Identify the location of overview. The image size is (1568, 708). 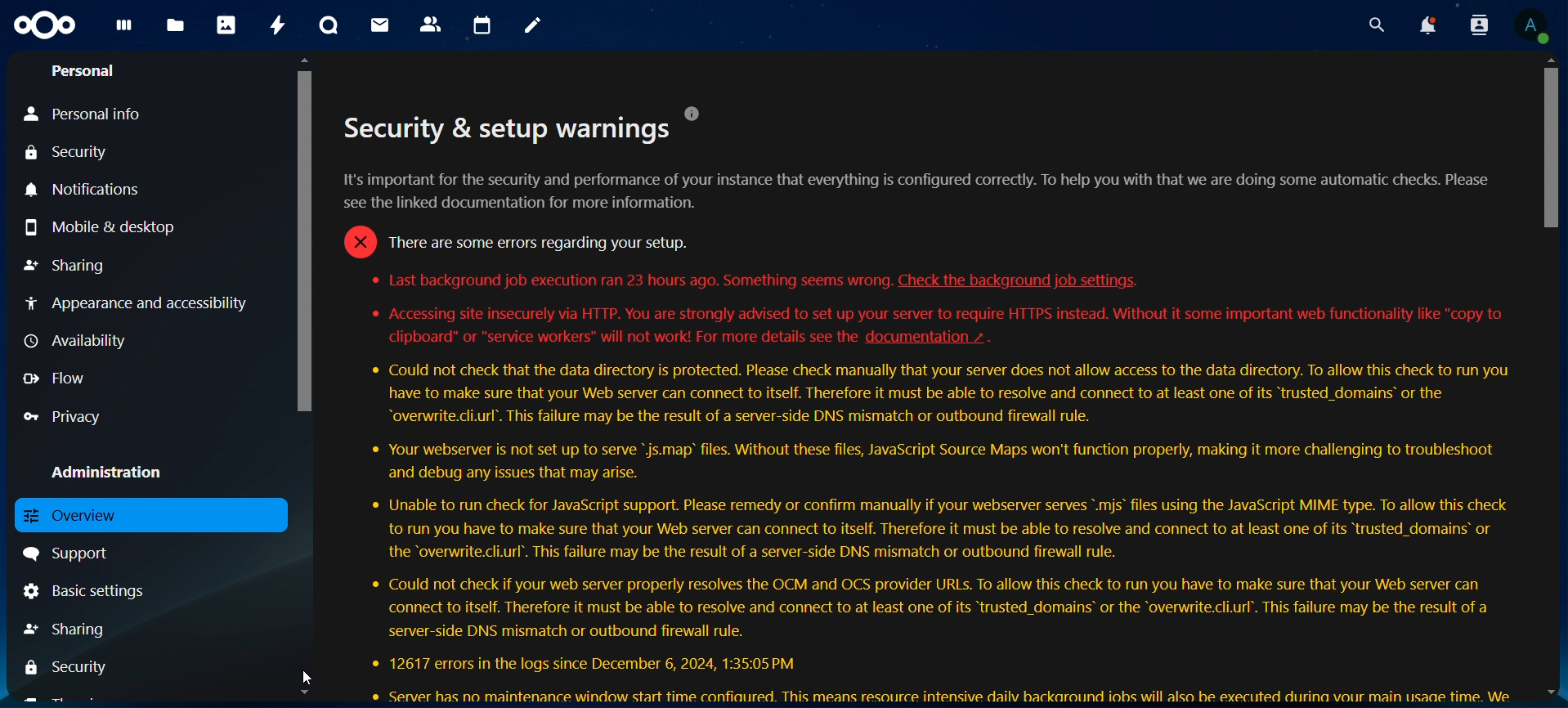
(79, 513).